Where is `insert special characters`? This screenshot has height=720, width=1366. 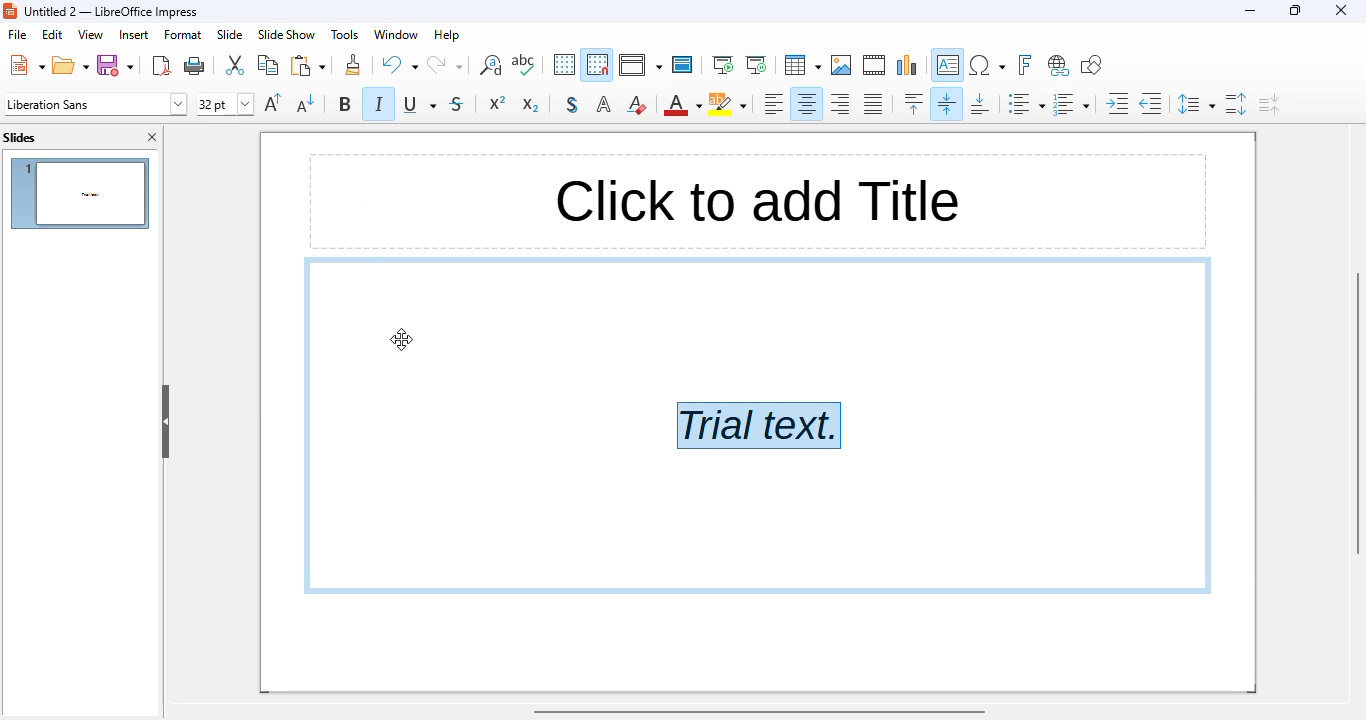
insert special characters is located at coordinates (987, 65).